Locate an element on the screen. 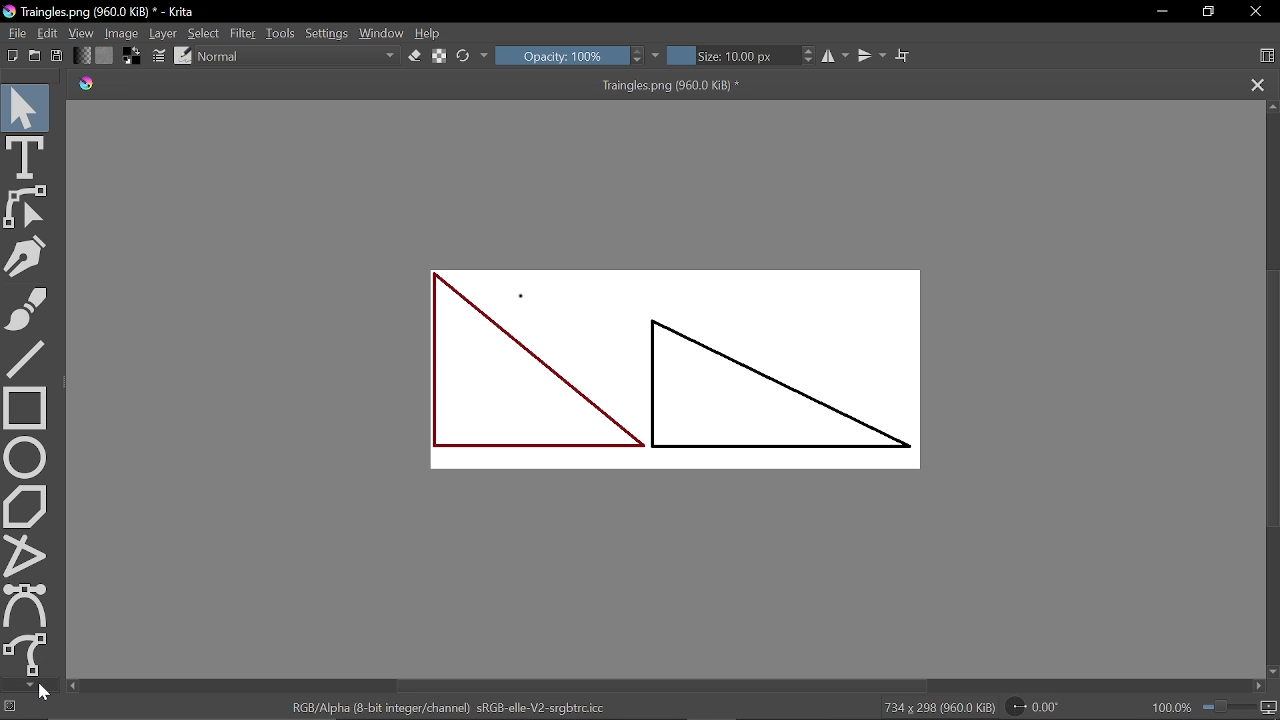 The image size is (1280, 720). Close tab is located at coordinates (1258, 83).